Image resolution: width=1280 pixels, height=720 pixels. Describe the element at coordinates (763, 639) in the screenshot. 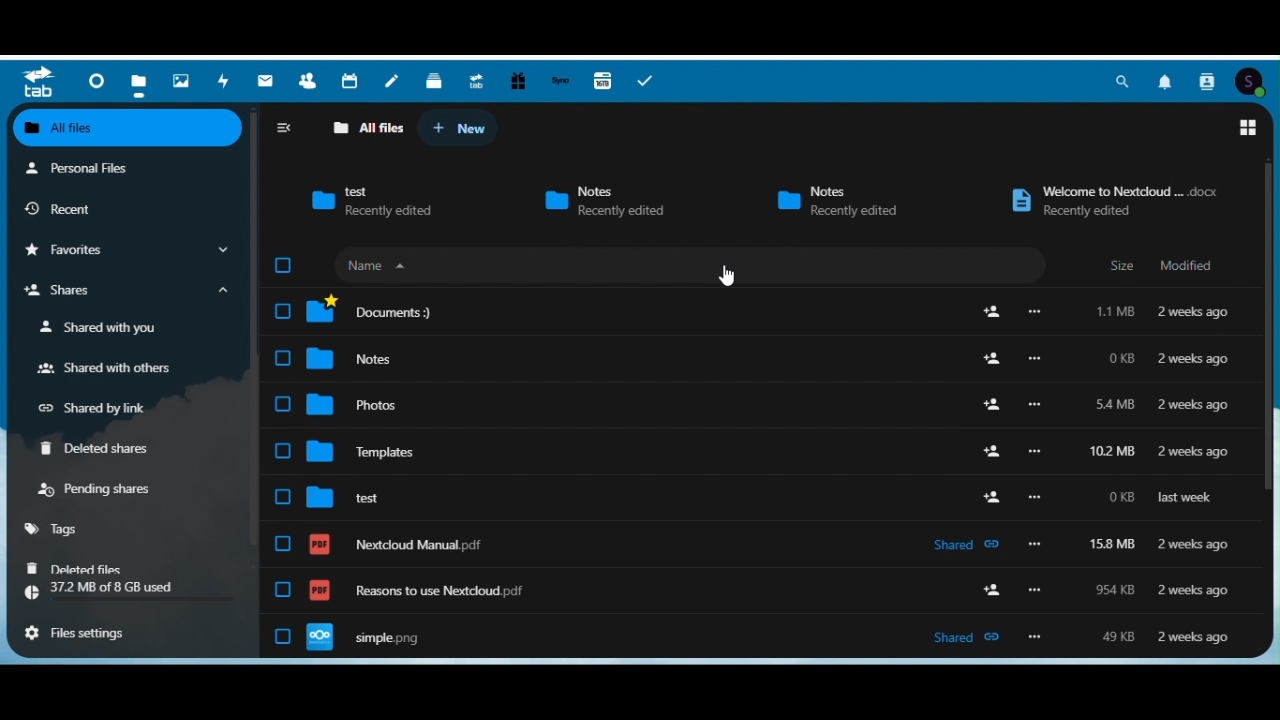

I see `simple` at that location.